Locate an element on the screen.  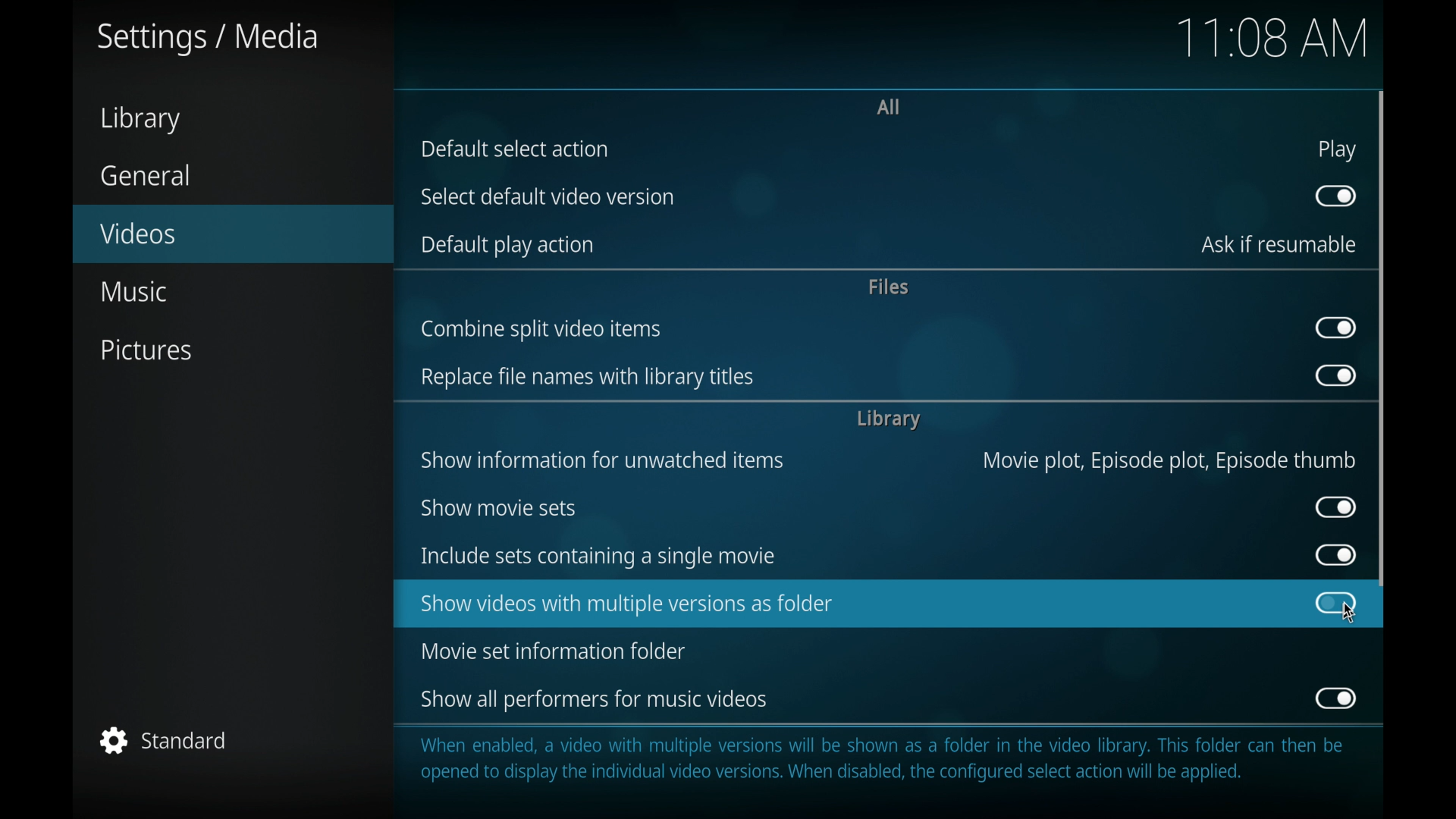
general is located at coordinates (146, 175).